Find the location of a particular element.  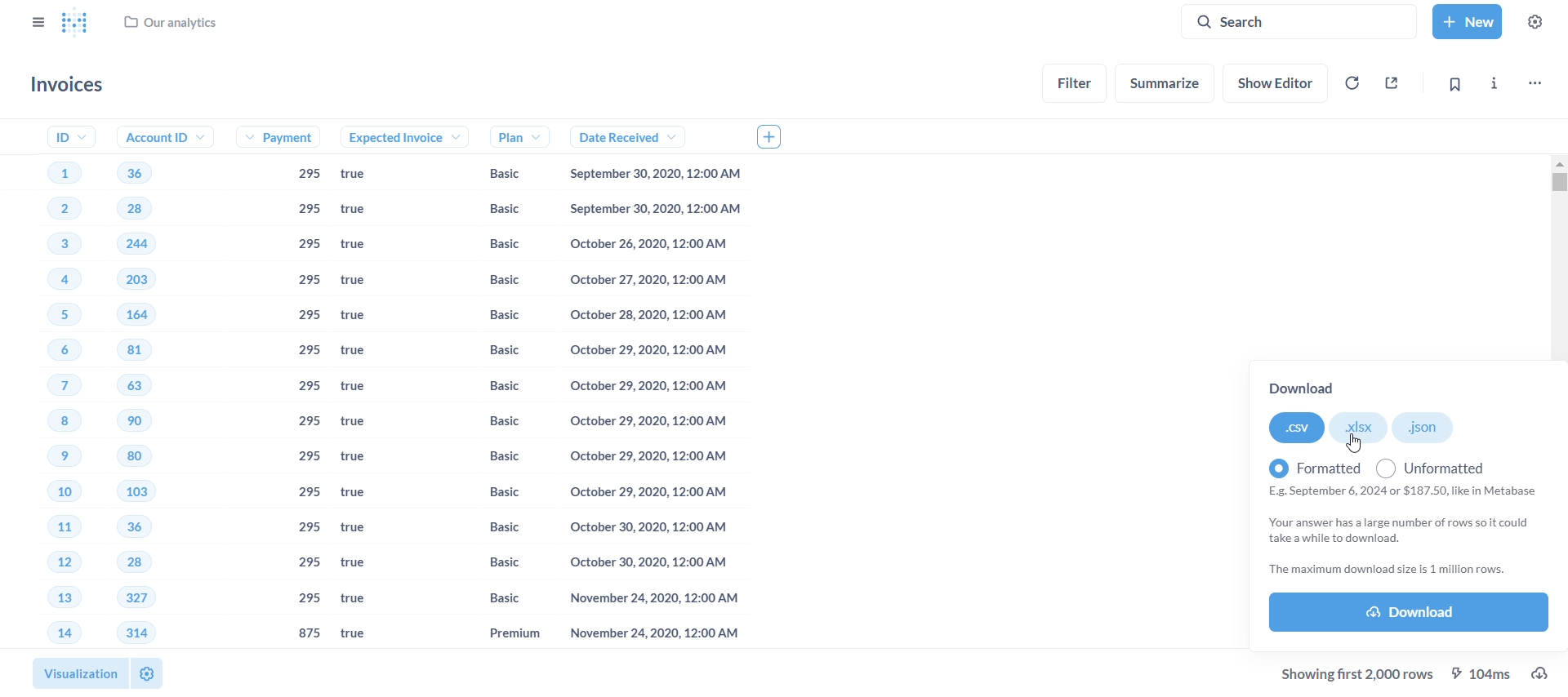

true is located at coordinates (363, 210).